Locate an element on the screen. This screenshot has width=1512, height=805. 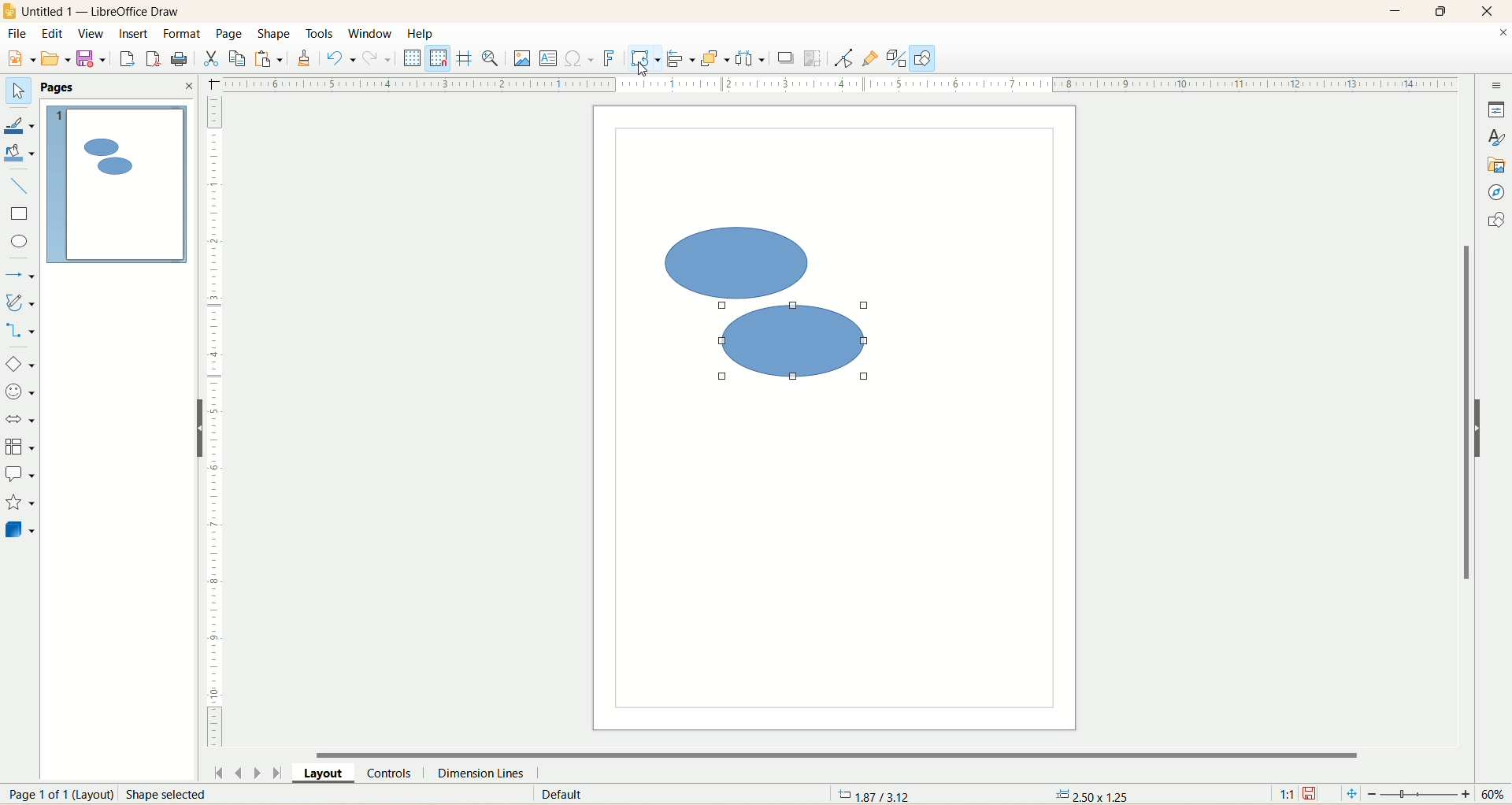
shadow is located at coordinates (784, 60).